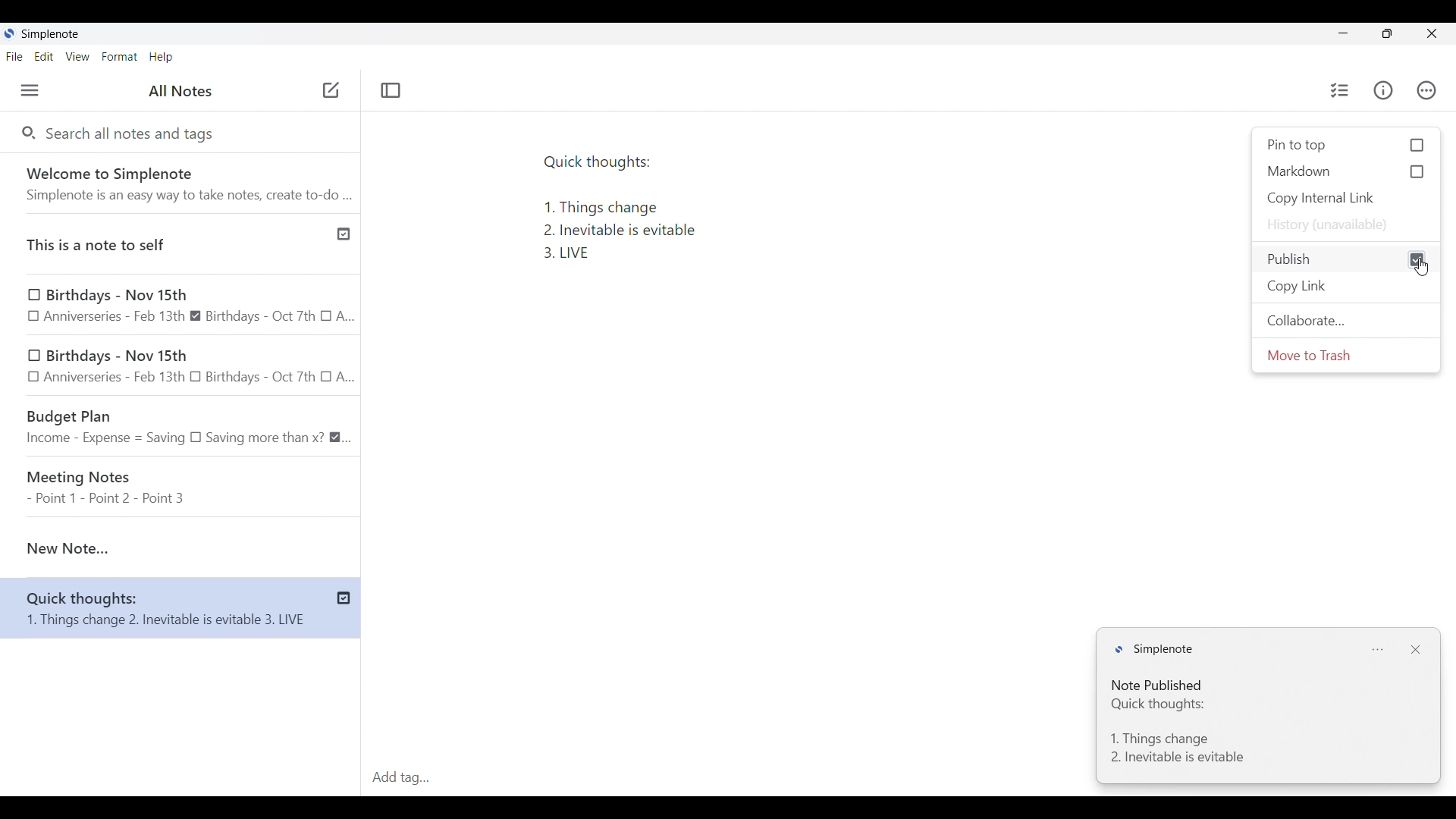 This screenshot has width=1456, height=819. I want to click on Note status, so click(1163, 685).